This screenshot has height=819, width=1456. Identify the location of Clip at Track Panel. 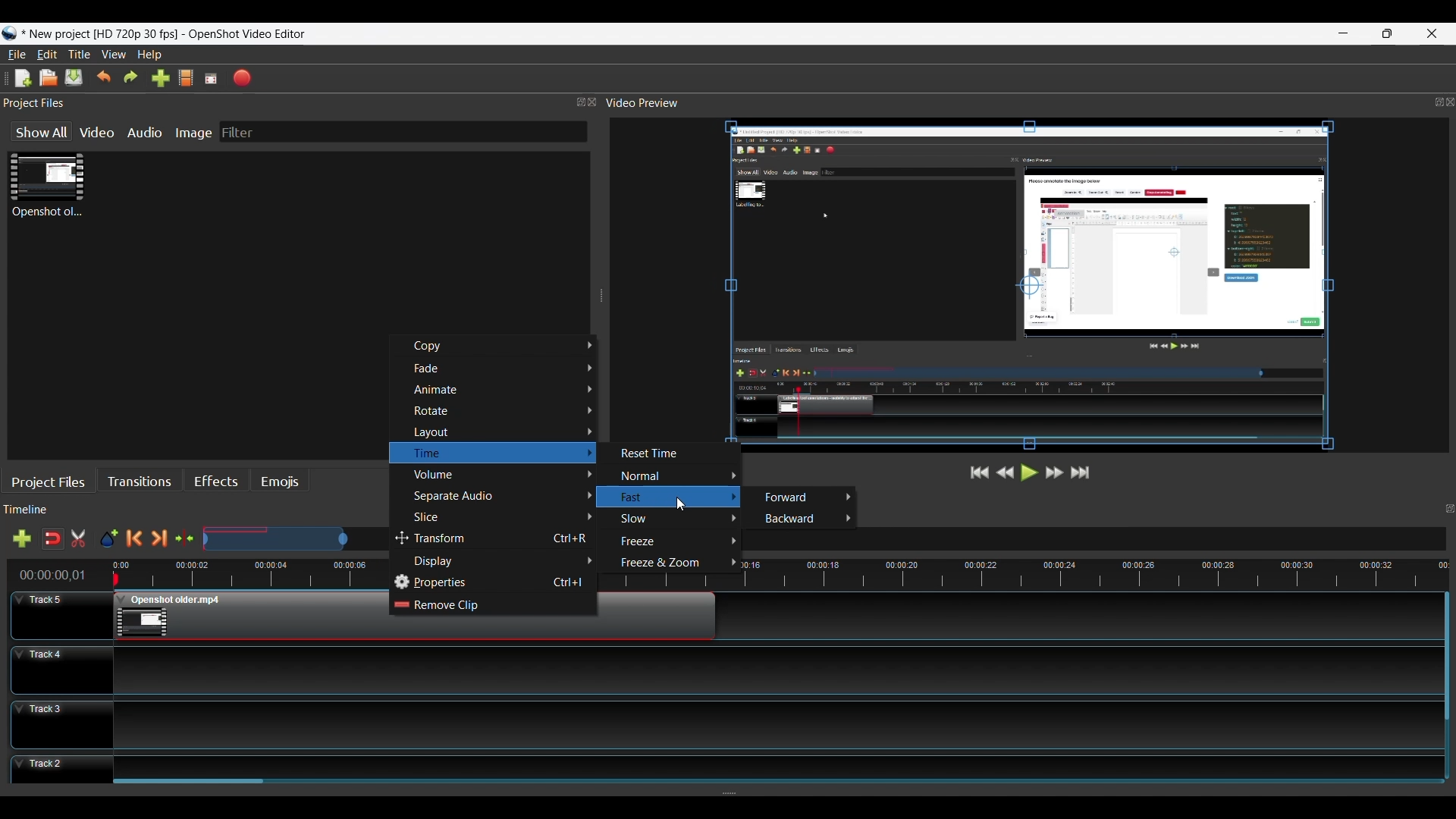
(242, 617).